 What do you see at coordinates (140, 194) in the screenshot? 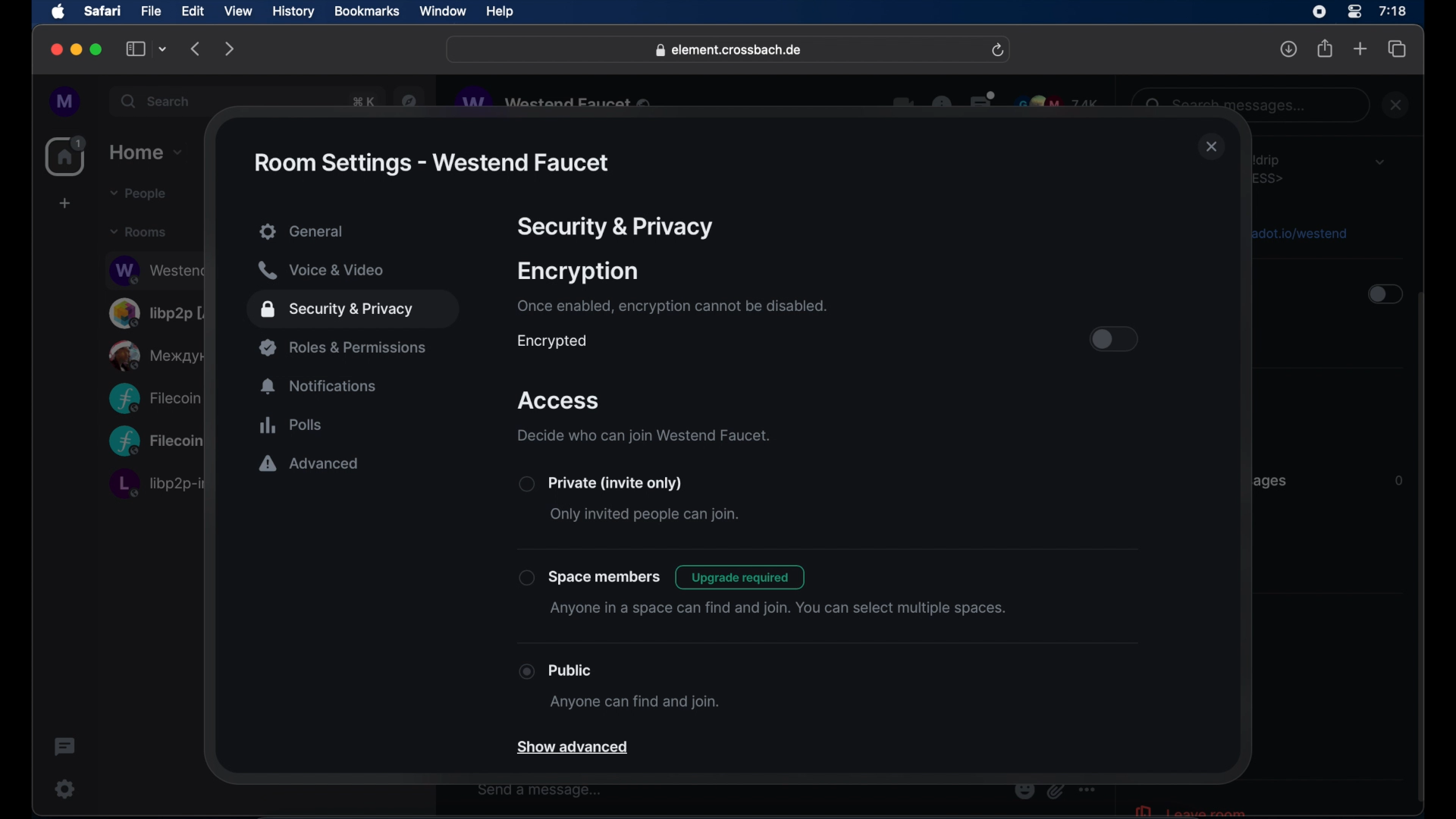
I see `` at bounding box center [140, 194].